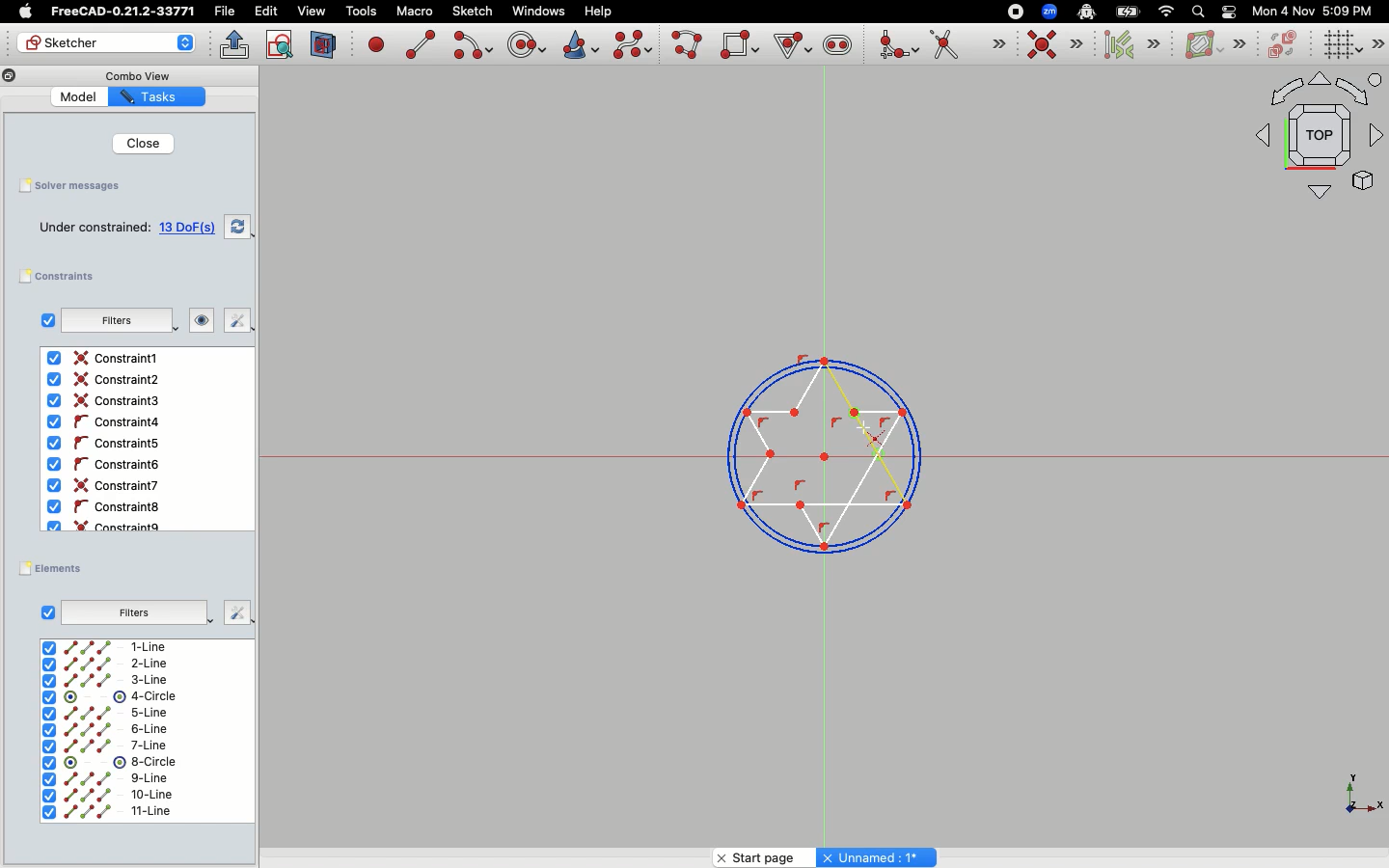 The image size is (1389, 868). I want to click on Elements, so click(56, 568).